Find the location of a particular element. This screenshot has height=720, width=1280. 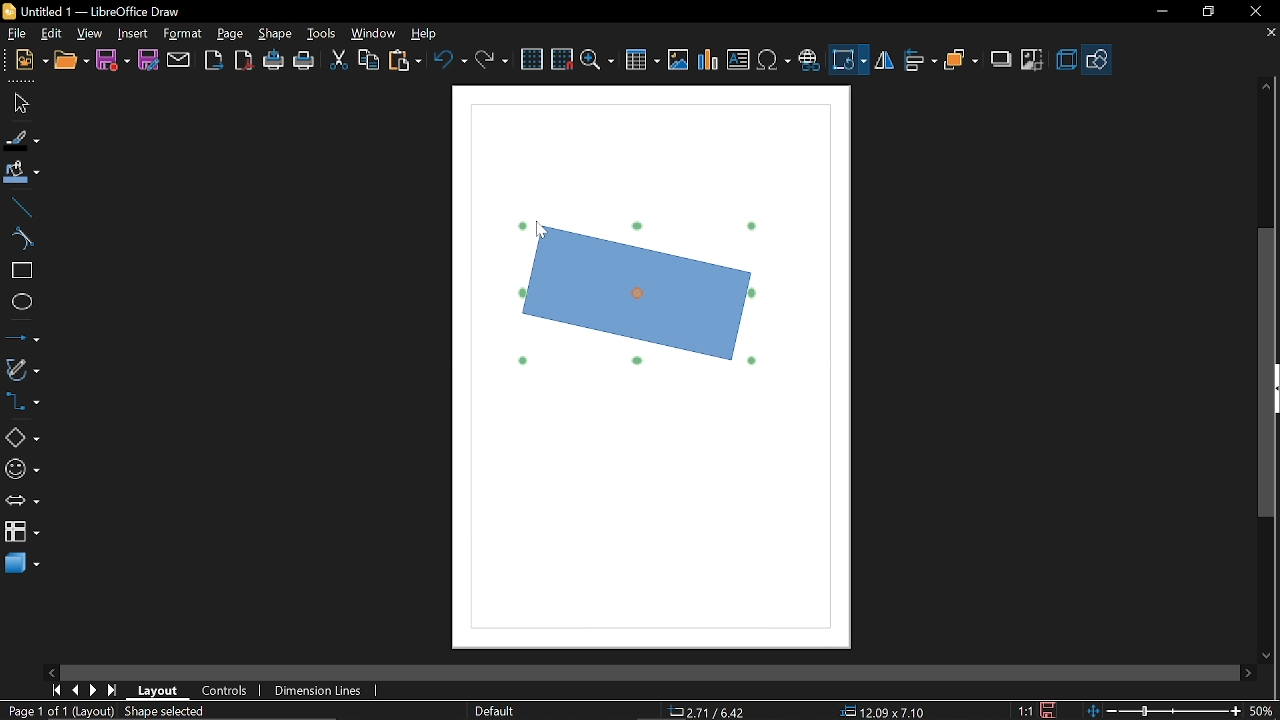

shapes is located at coordinates (1098, 59).